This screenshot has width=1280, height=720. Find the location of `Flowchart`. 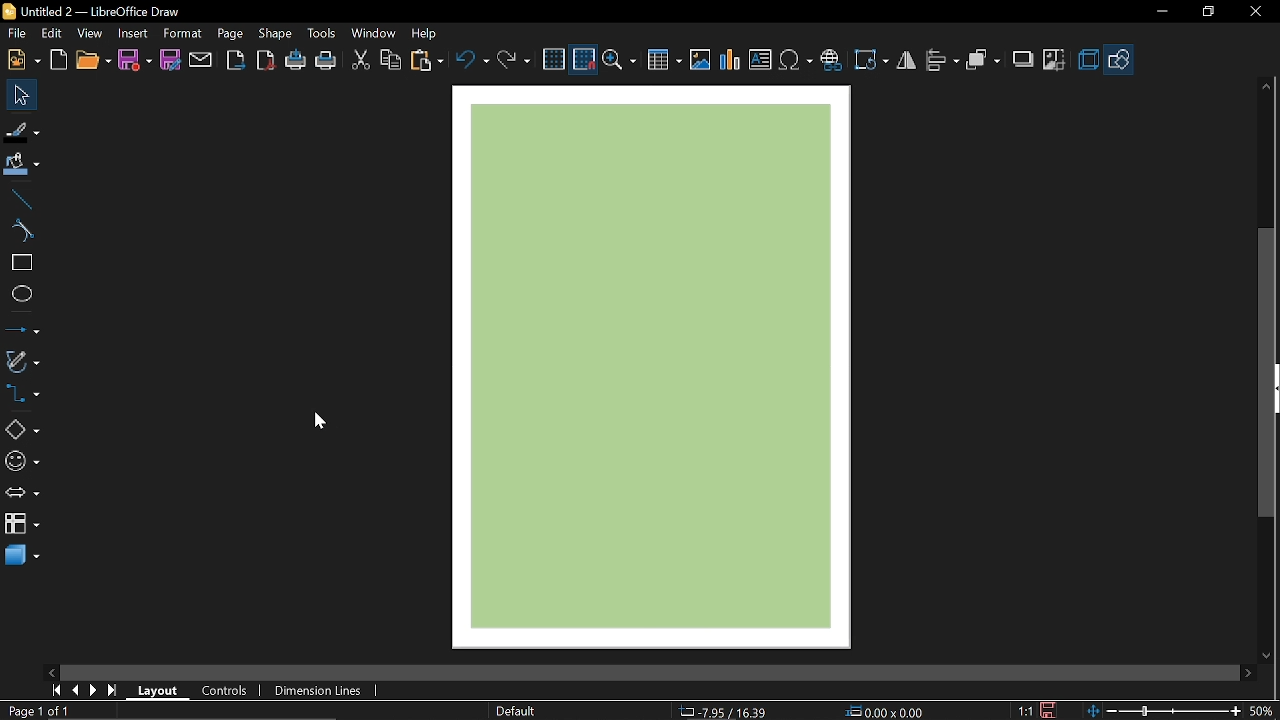

Flowchart is located at coordinates (20, 522).